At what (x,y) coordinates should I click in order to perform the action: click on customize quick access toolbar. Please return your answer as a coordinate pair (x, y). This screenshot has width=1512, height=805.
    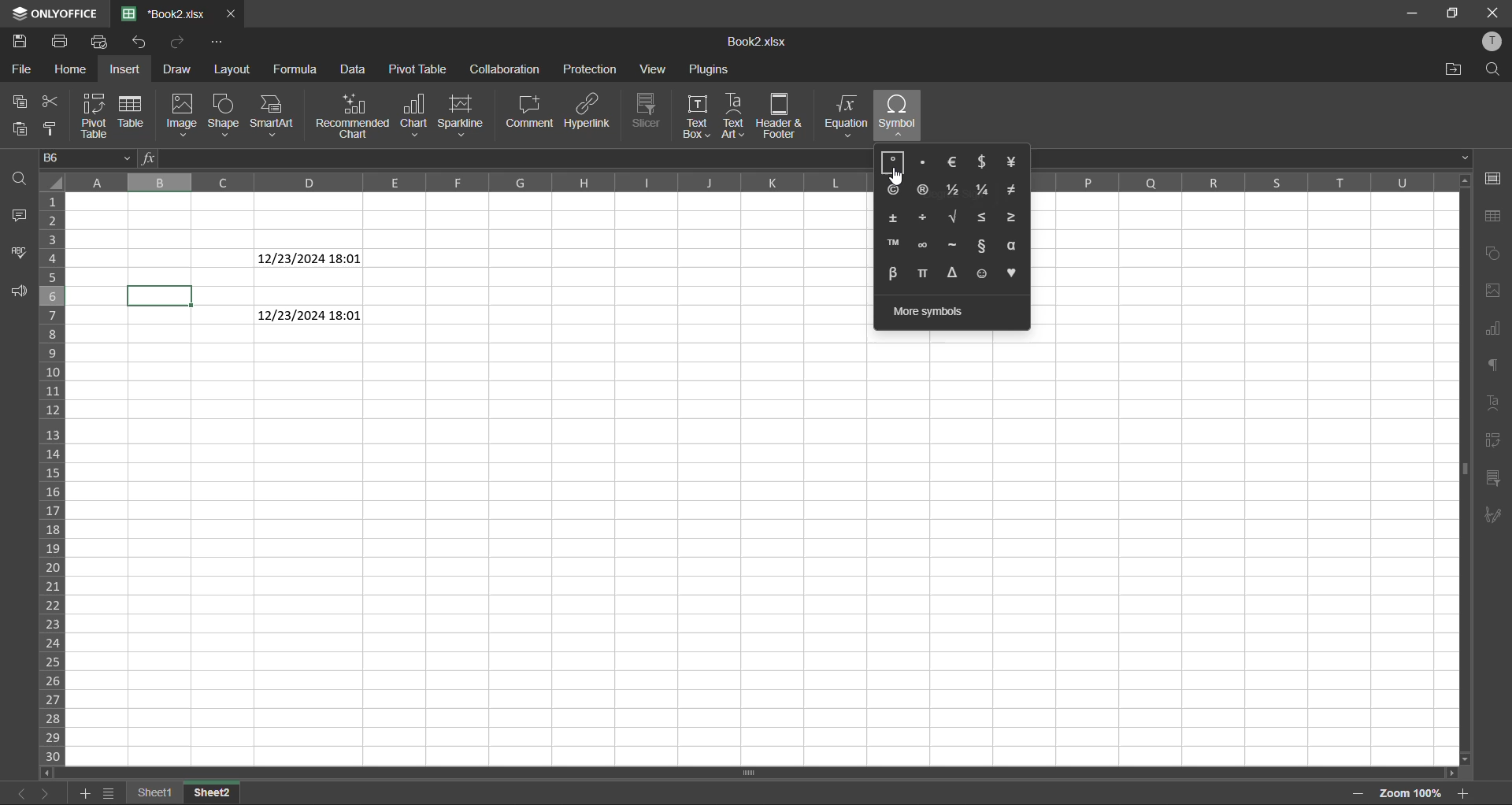
    Looking at the image, I should click on (217, 41).